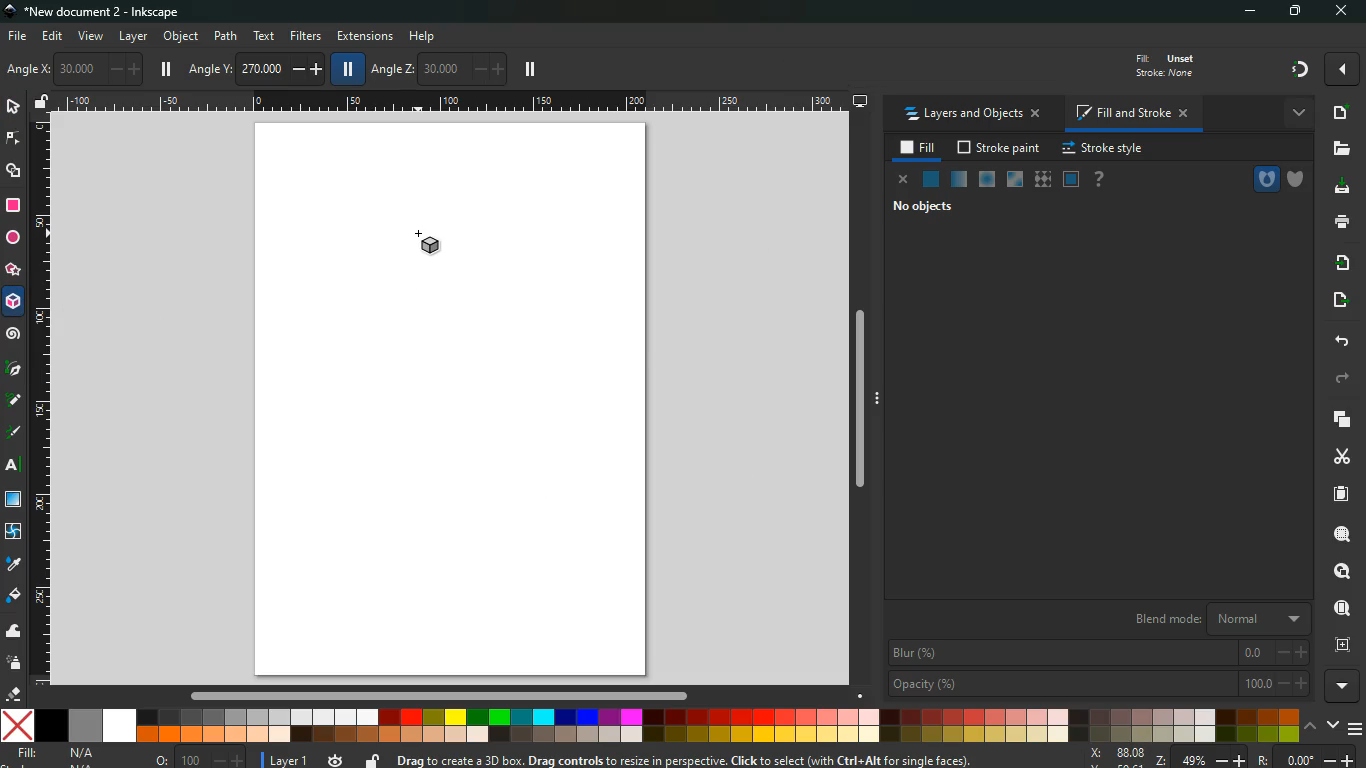 The width and height of the screenshot is (1366, 768). Describe the element at coordinates (12, 272) in the screenshot. I see `star` at that location.